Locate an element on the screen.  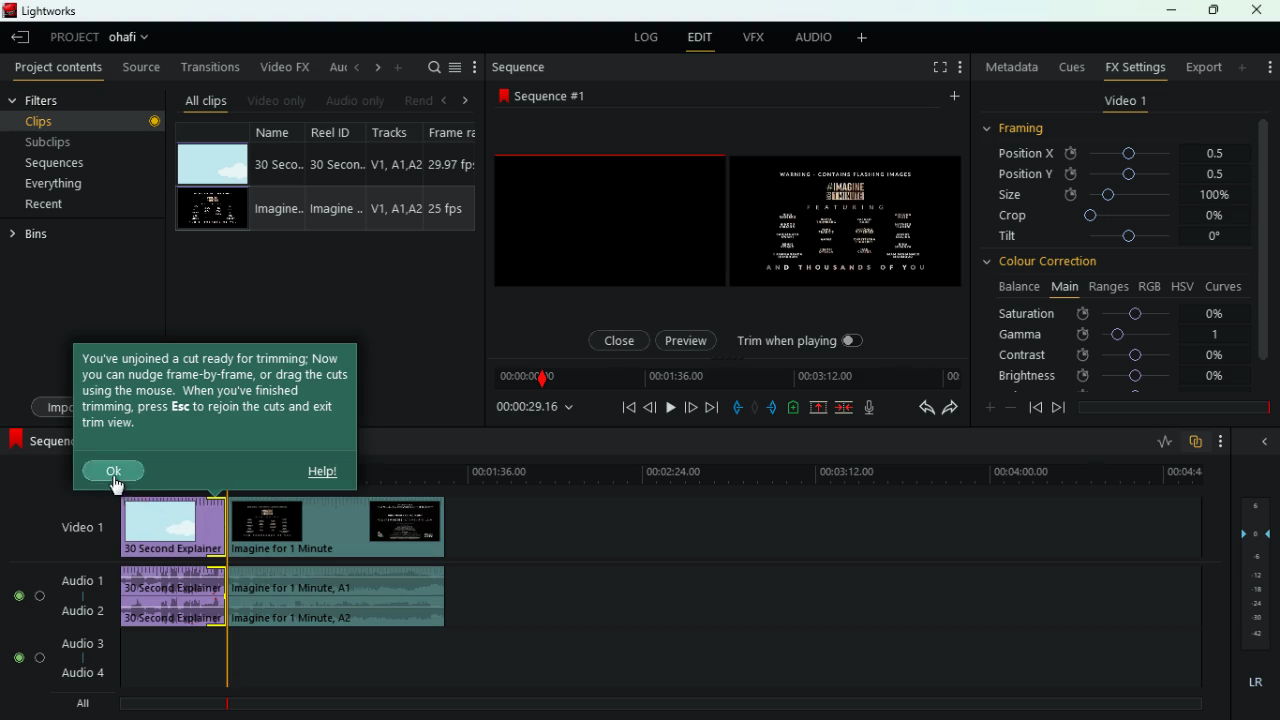
edit is located at coordinates (699, 39).